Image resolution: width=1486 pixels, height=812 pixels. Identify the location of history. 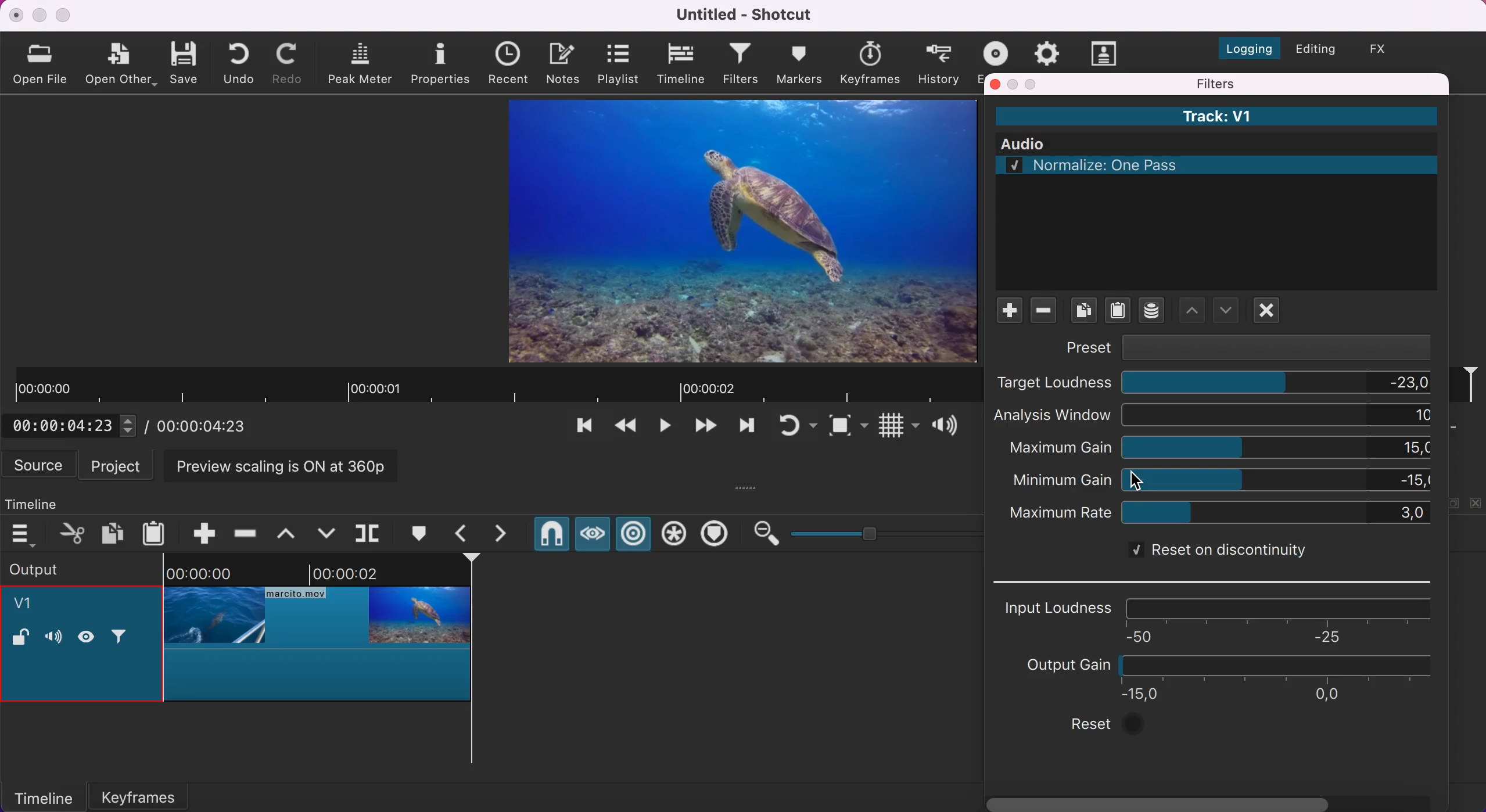
(940, 63).